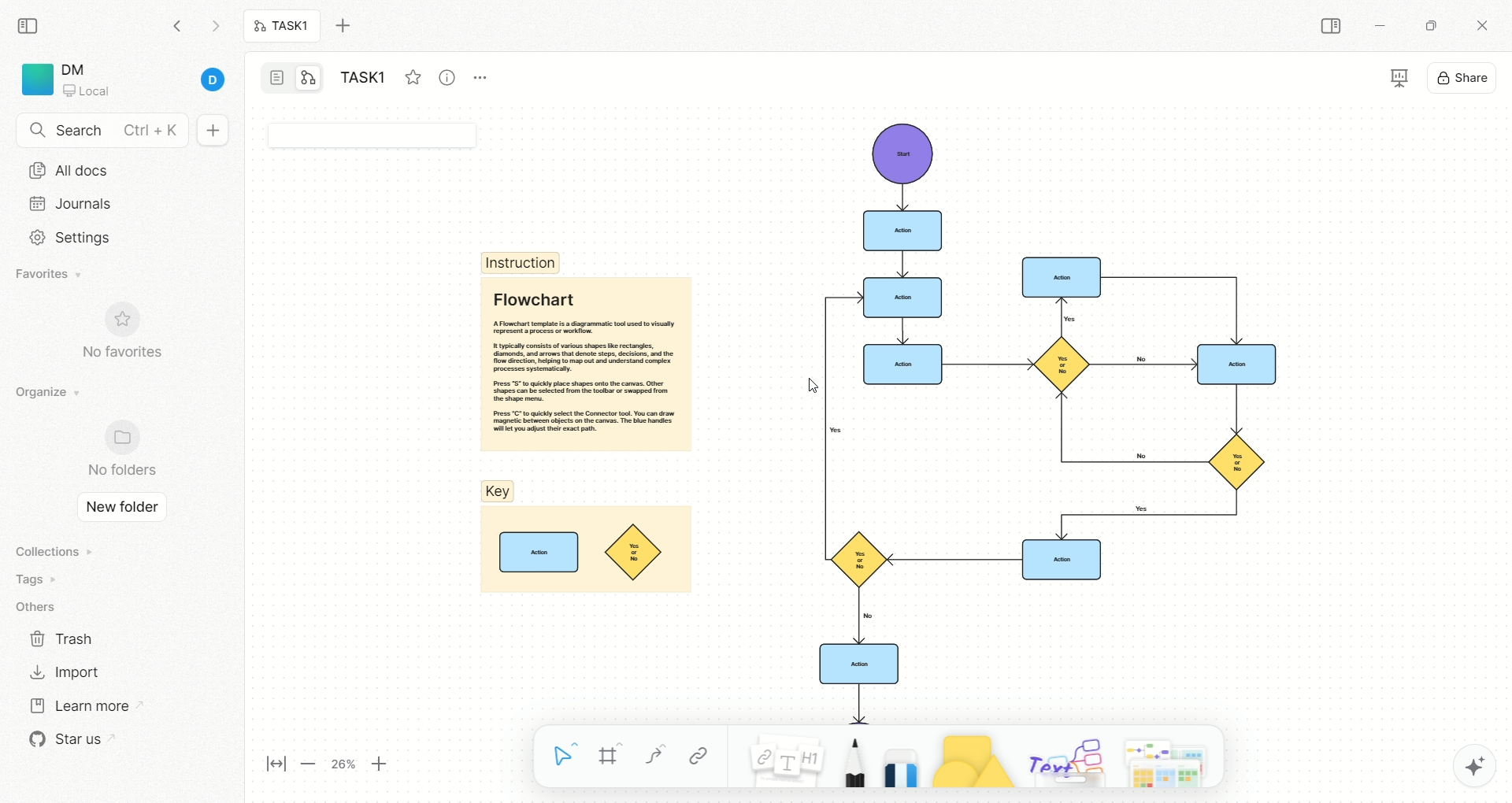 This screenshot has height=803, width=1512. I want to click on minimize, so click(1378, 28).